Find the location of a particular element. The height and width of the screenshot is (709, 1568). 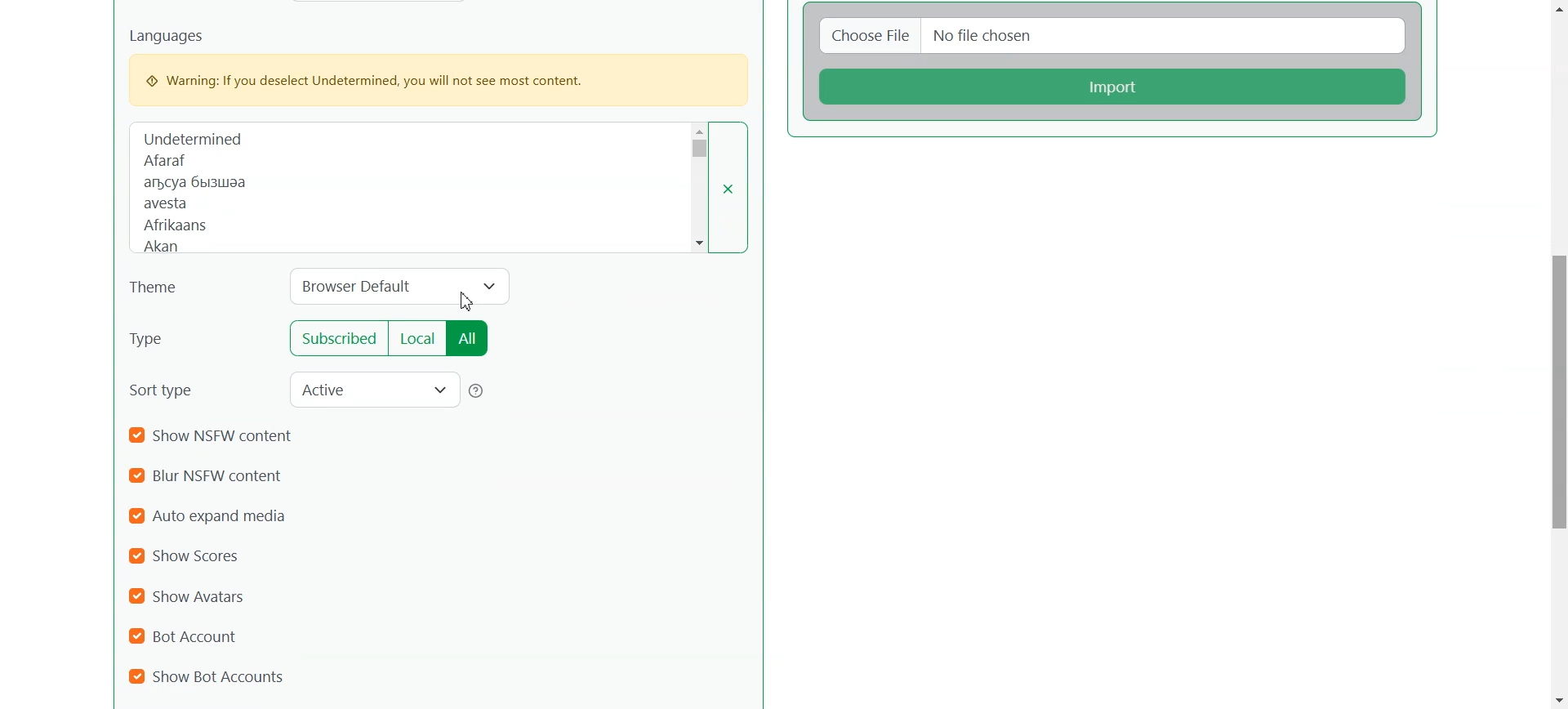

All is located at coordinates (470, 338).